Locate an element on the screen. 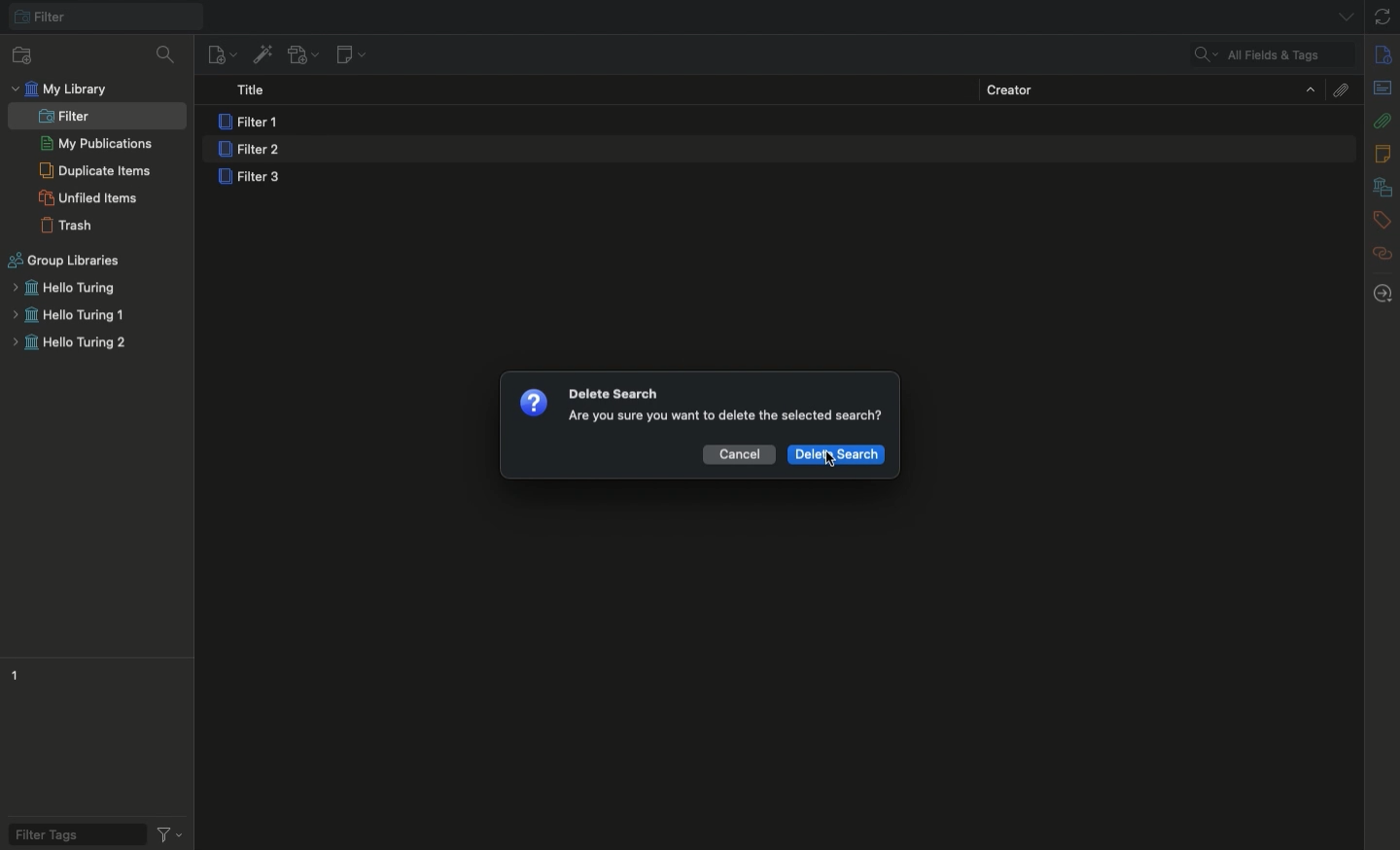  cursor is located at coordinates (830, 458).